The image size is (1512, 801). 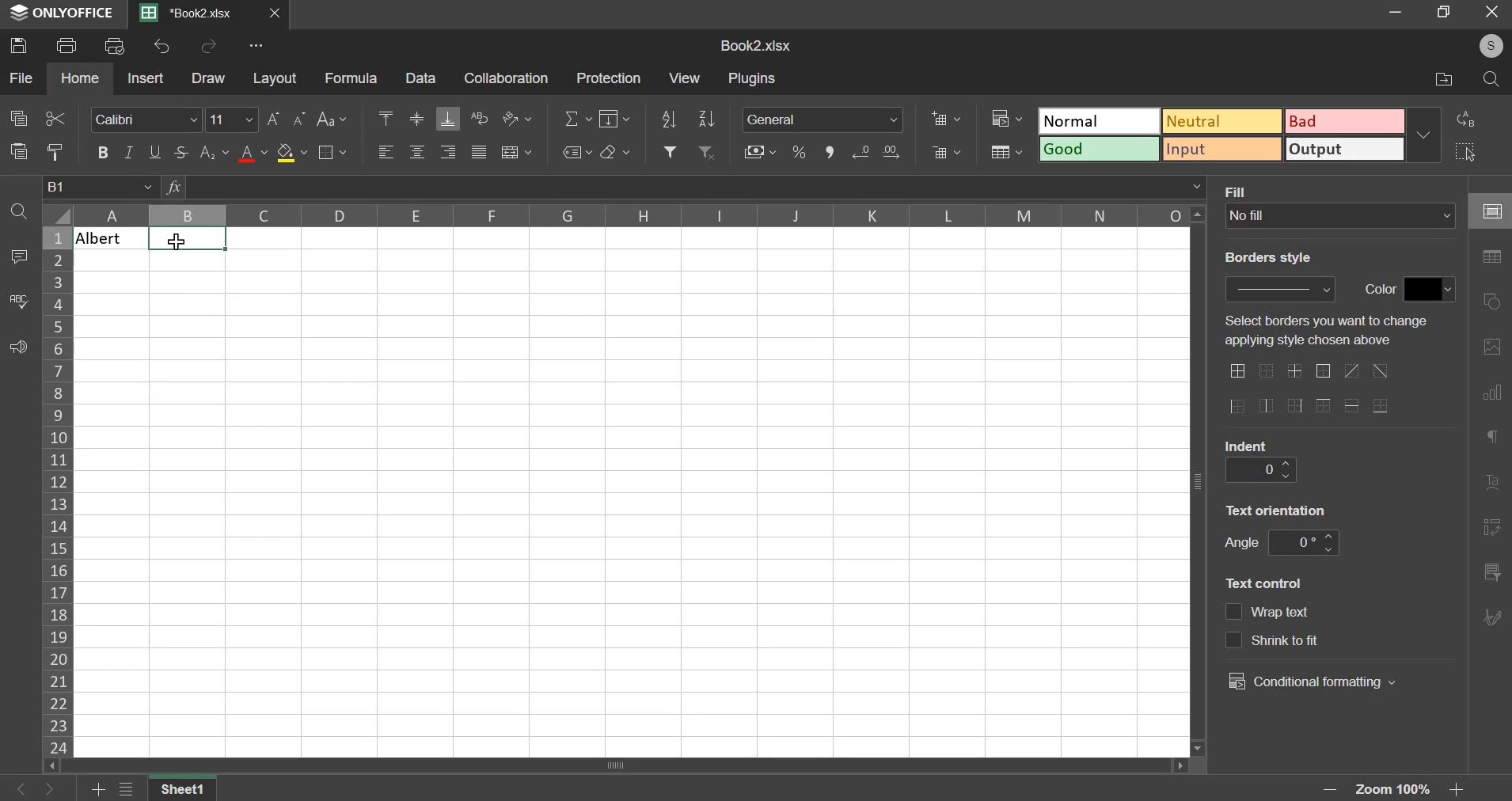 I want to click on image settings, so click(x=1495, y=344).